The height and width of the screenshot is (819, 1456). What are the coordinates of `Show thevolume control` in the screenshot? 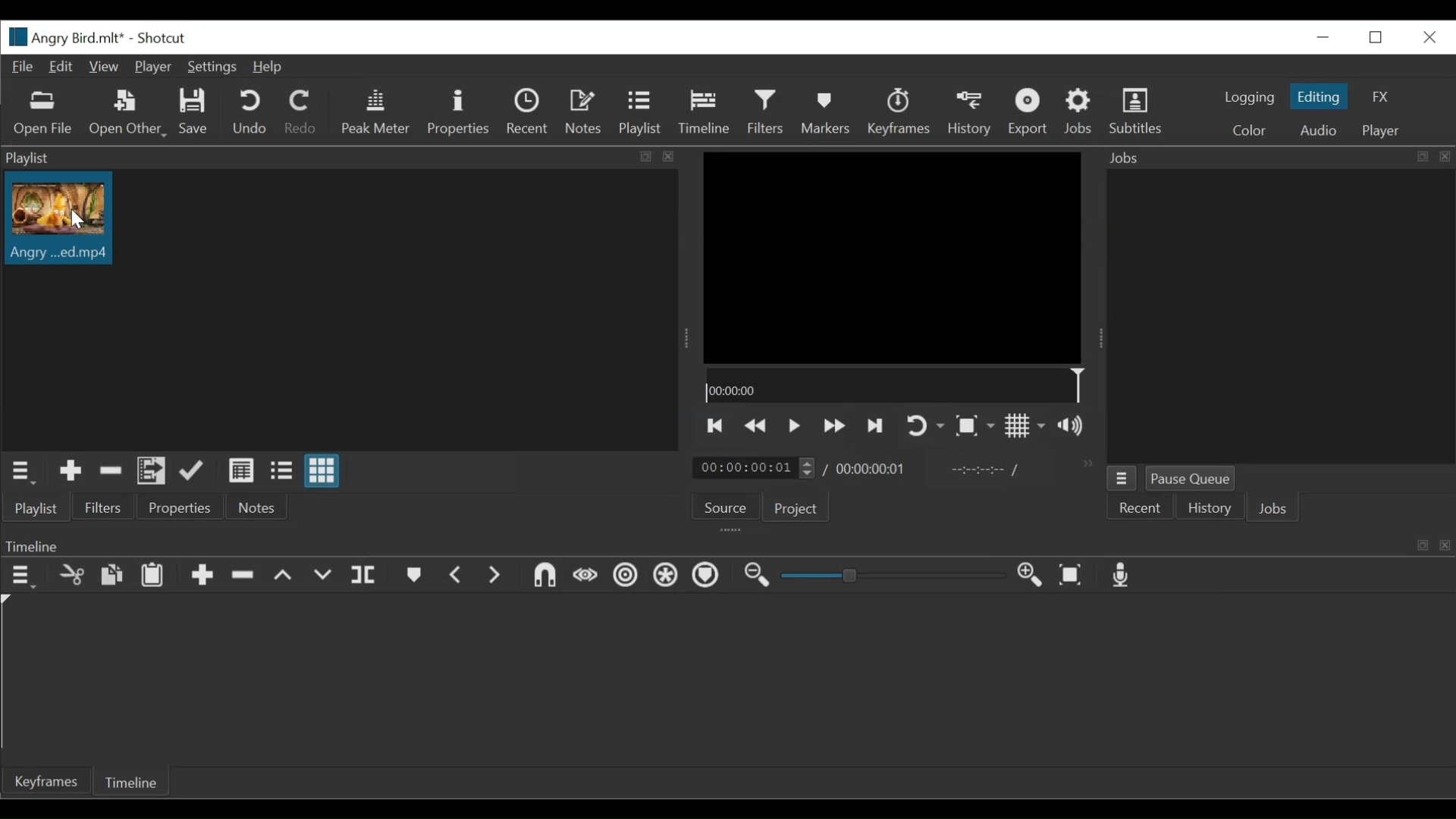 It's located at (1075, 426).